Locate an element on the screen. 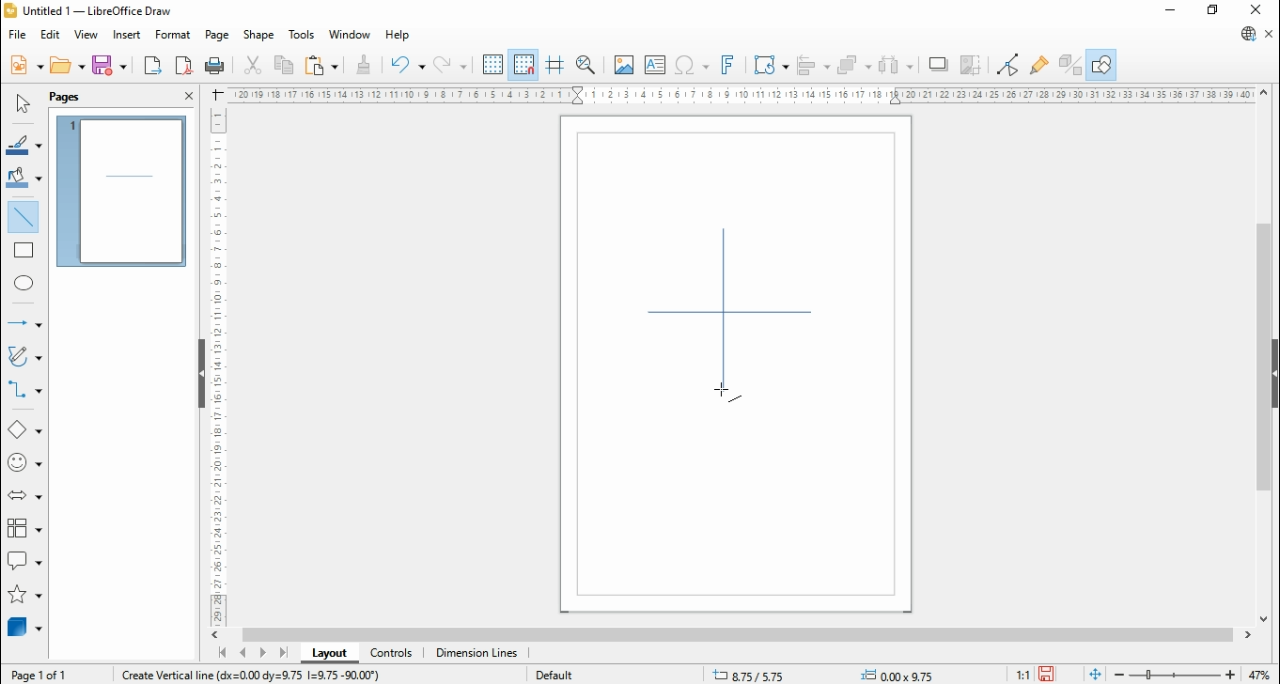 The image size is (1280, 684). stars and banners is located at coordinates (22, 593).